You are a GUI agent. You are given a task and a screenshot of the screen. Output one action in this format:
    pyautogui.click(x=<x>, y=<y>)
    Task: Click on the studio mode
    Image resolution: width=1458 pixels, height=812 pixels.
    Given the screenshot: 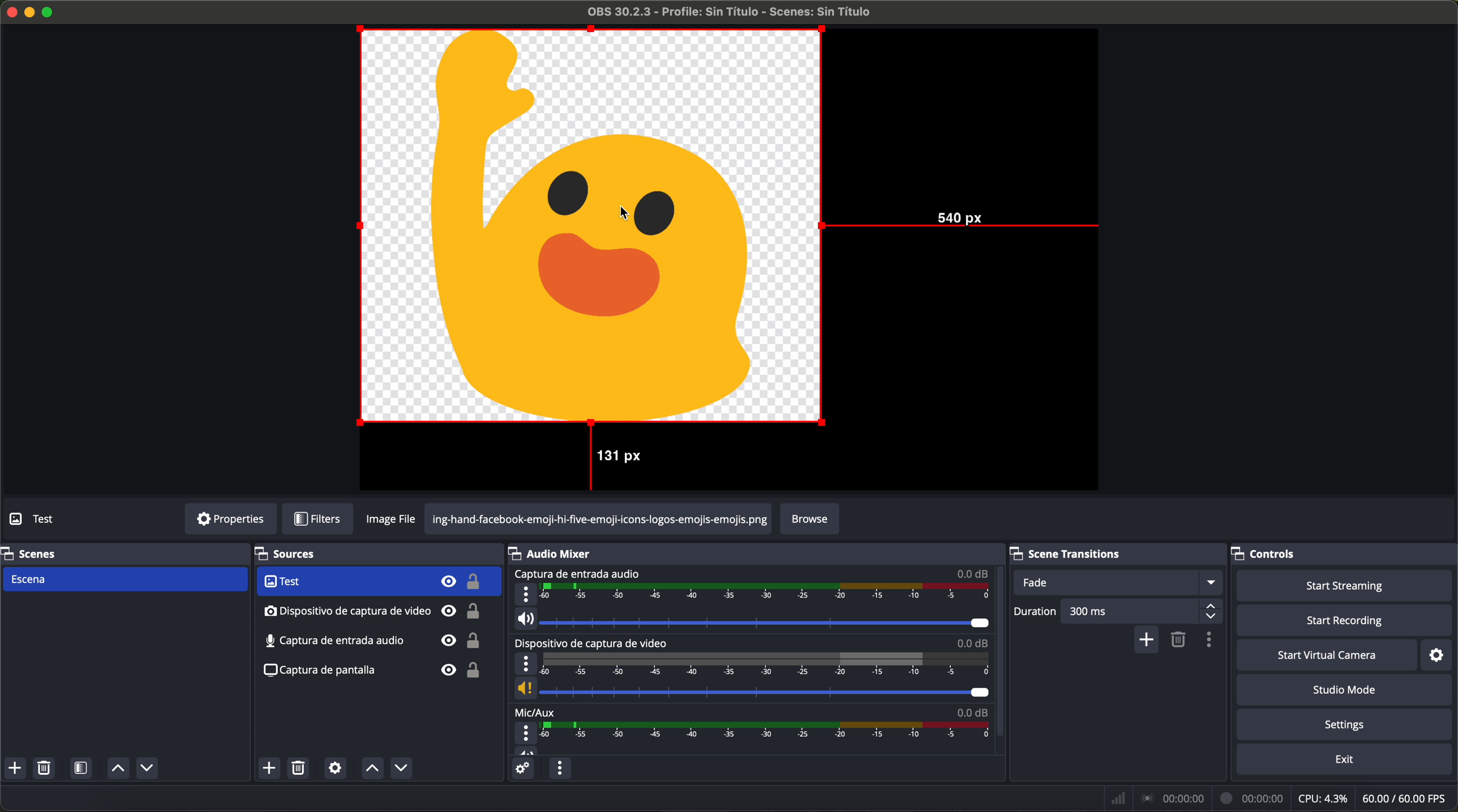 What is the action you would take?
    pyautogui.click(x=1345, y=690)
    